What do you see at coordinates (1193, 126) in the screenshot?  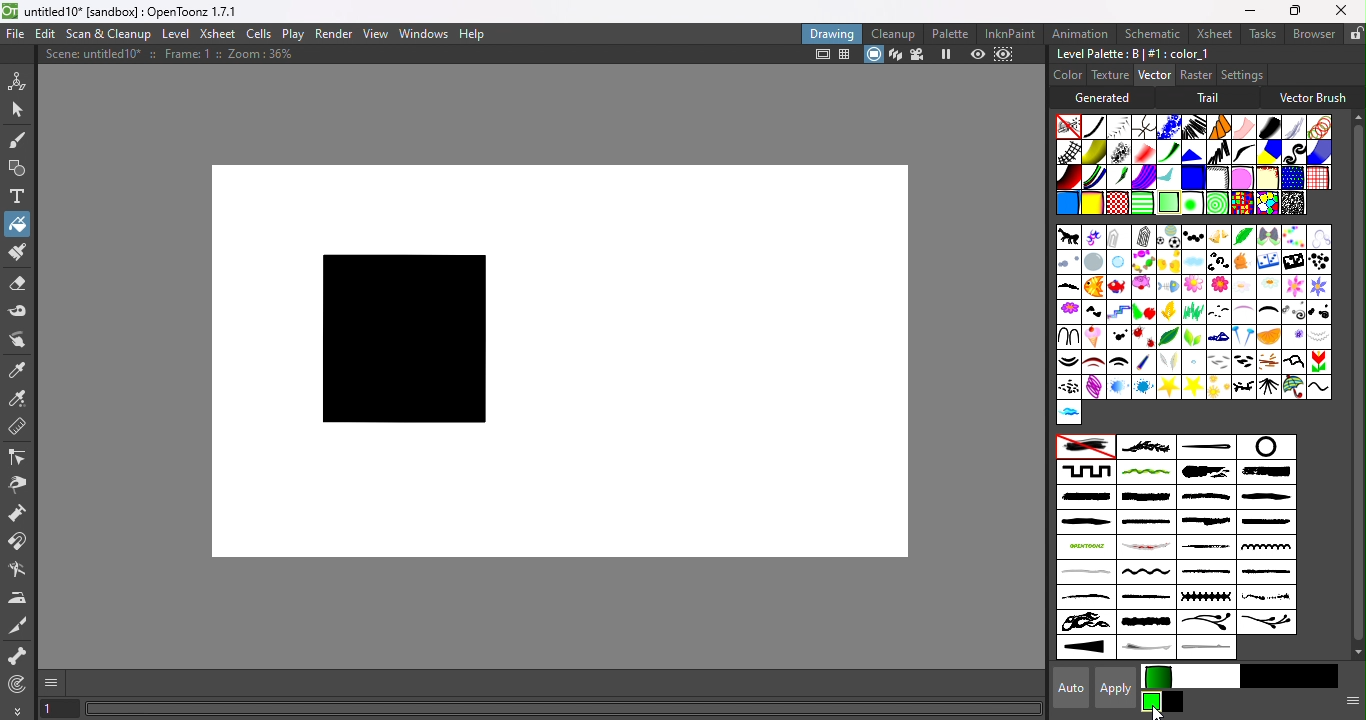 I see `Dashes` at bounding box center [1193, 126].